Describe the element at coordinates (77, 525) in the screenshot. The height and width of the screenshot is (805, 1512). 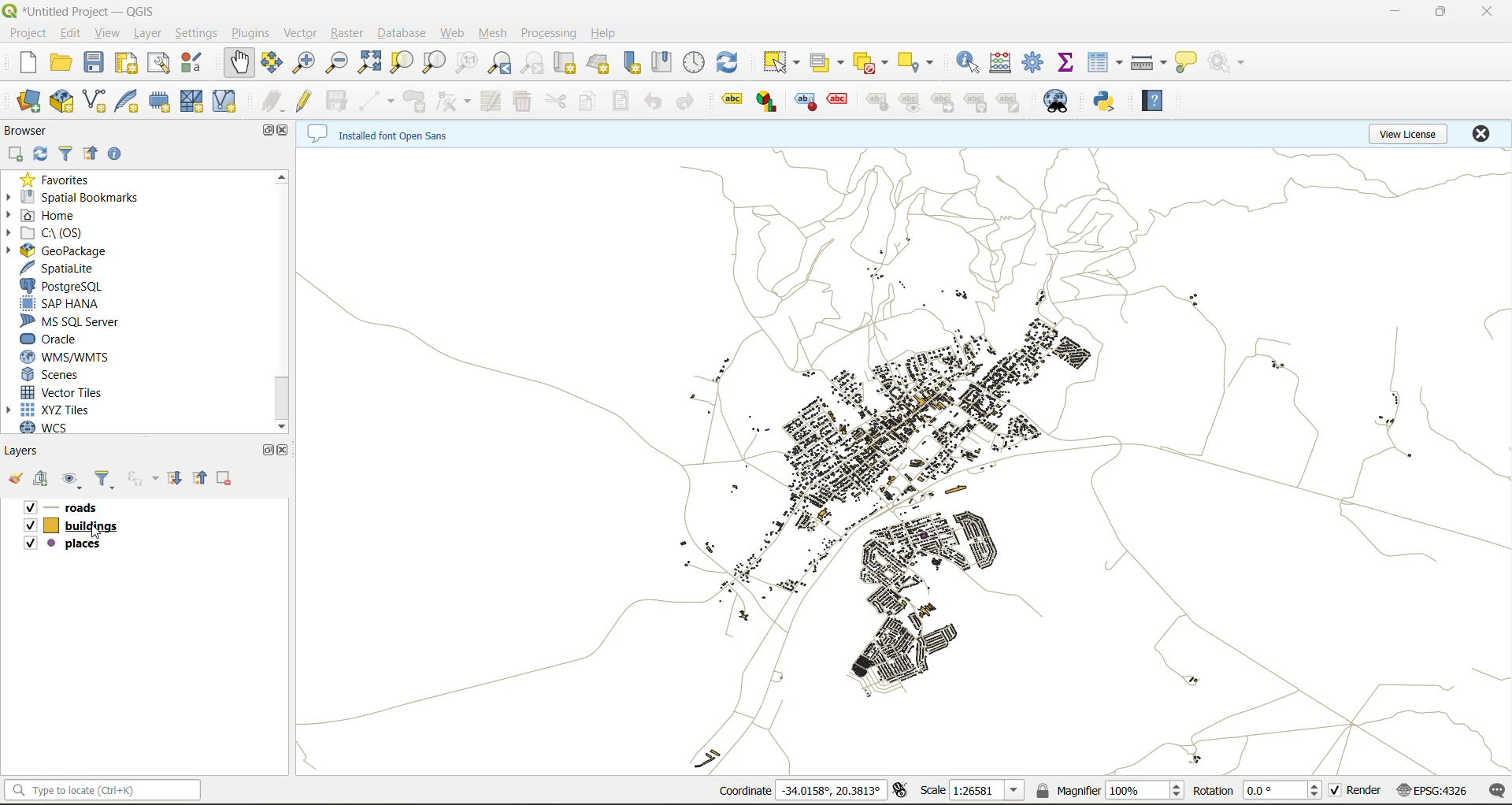
I see `buildings layer` at that location.